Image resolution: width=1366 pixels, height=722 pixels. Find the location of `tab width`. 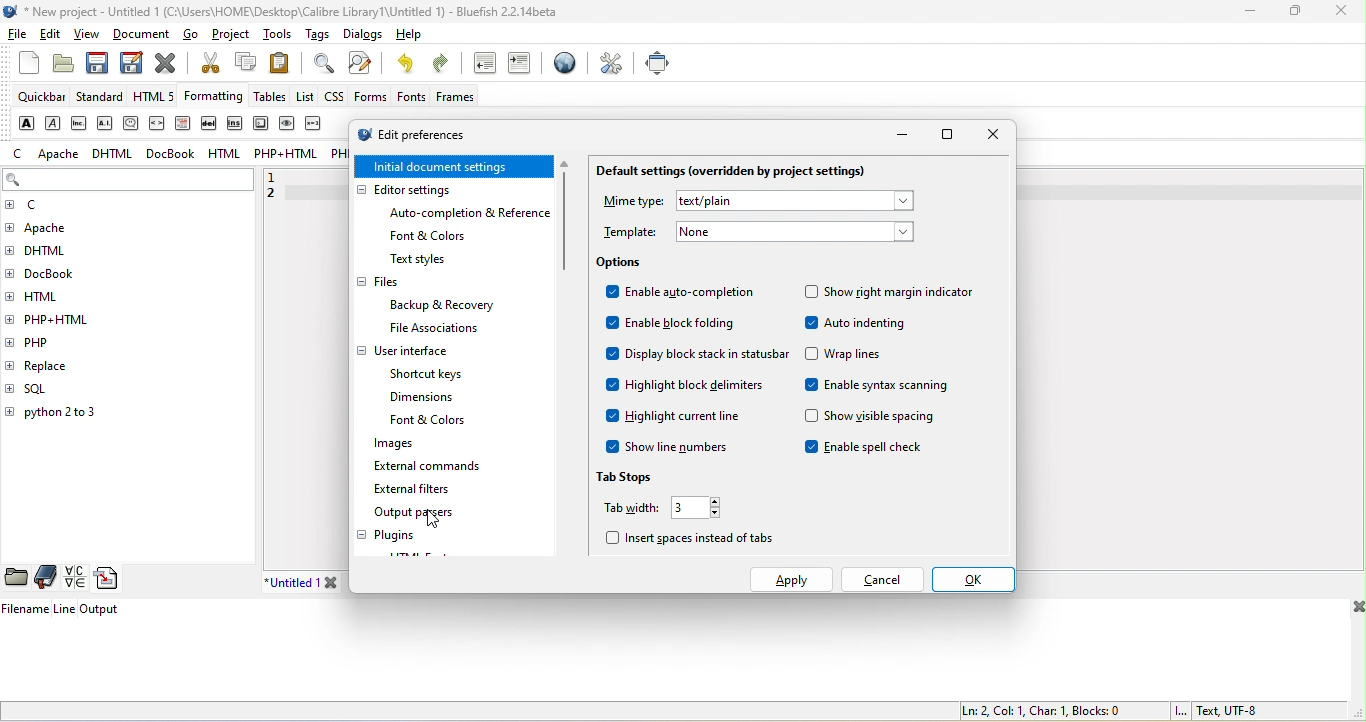

tab width is located at coordinates (660, 510).